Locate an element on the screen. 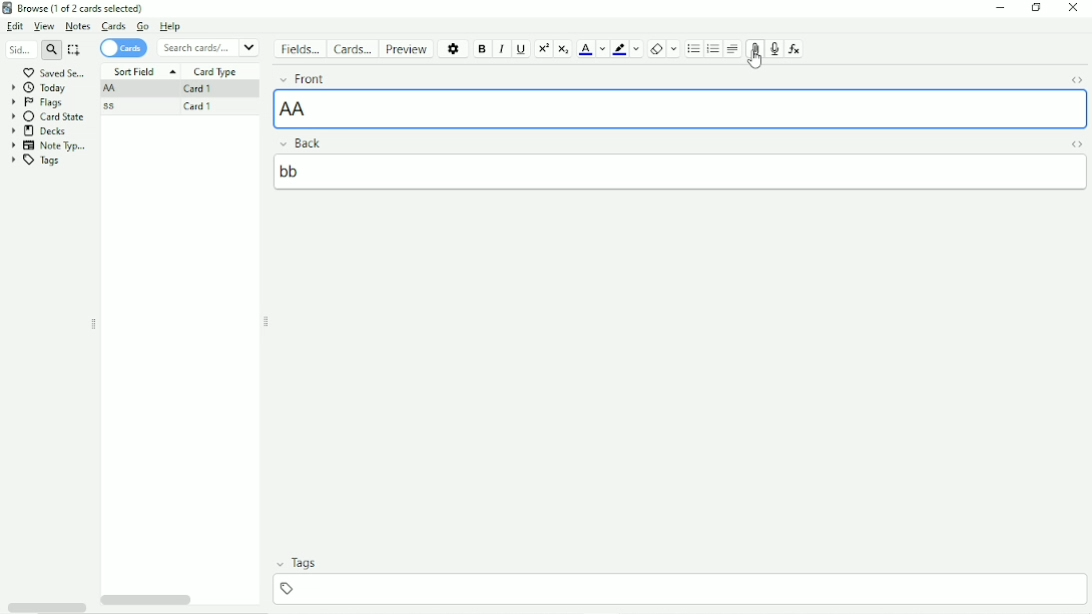 The image size is (1092, 614). Decks is located at coordinates (40, 131).